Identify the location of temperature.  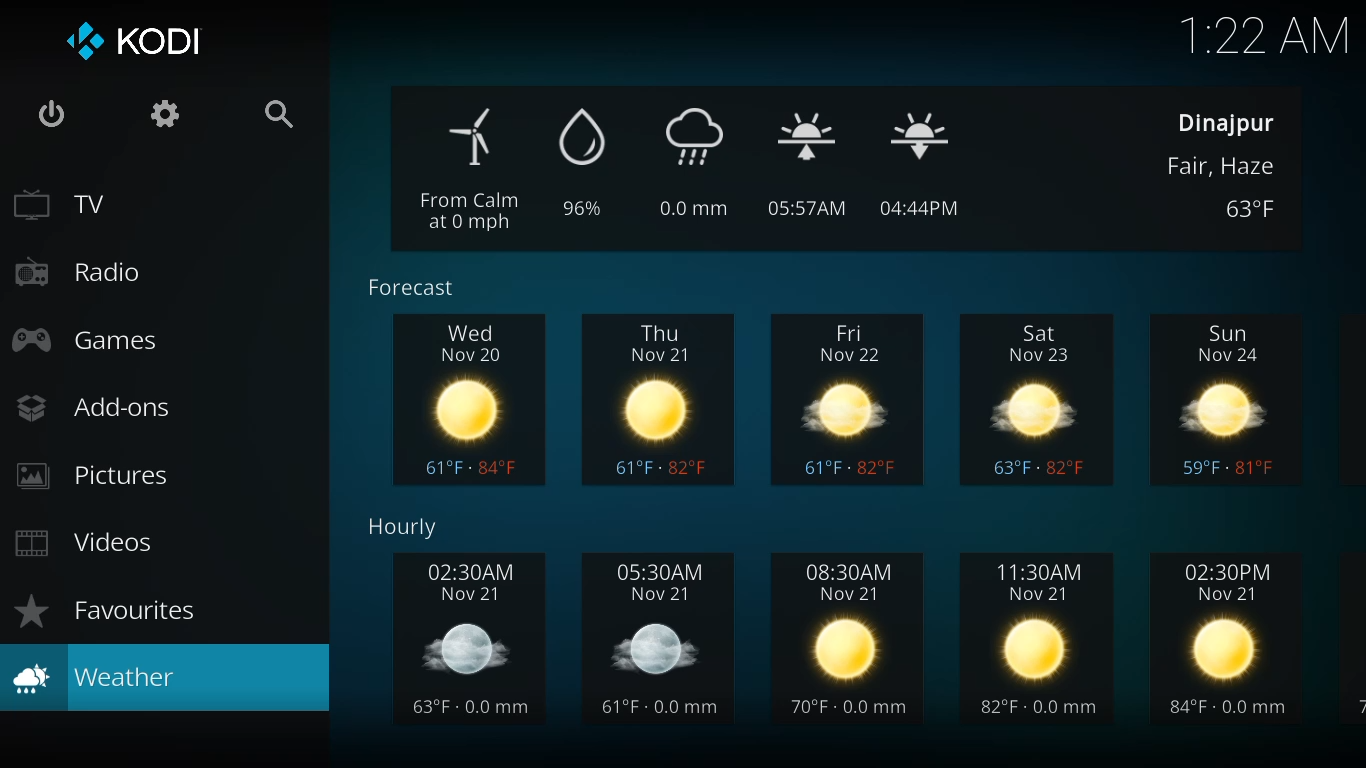
(1255, 210).